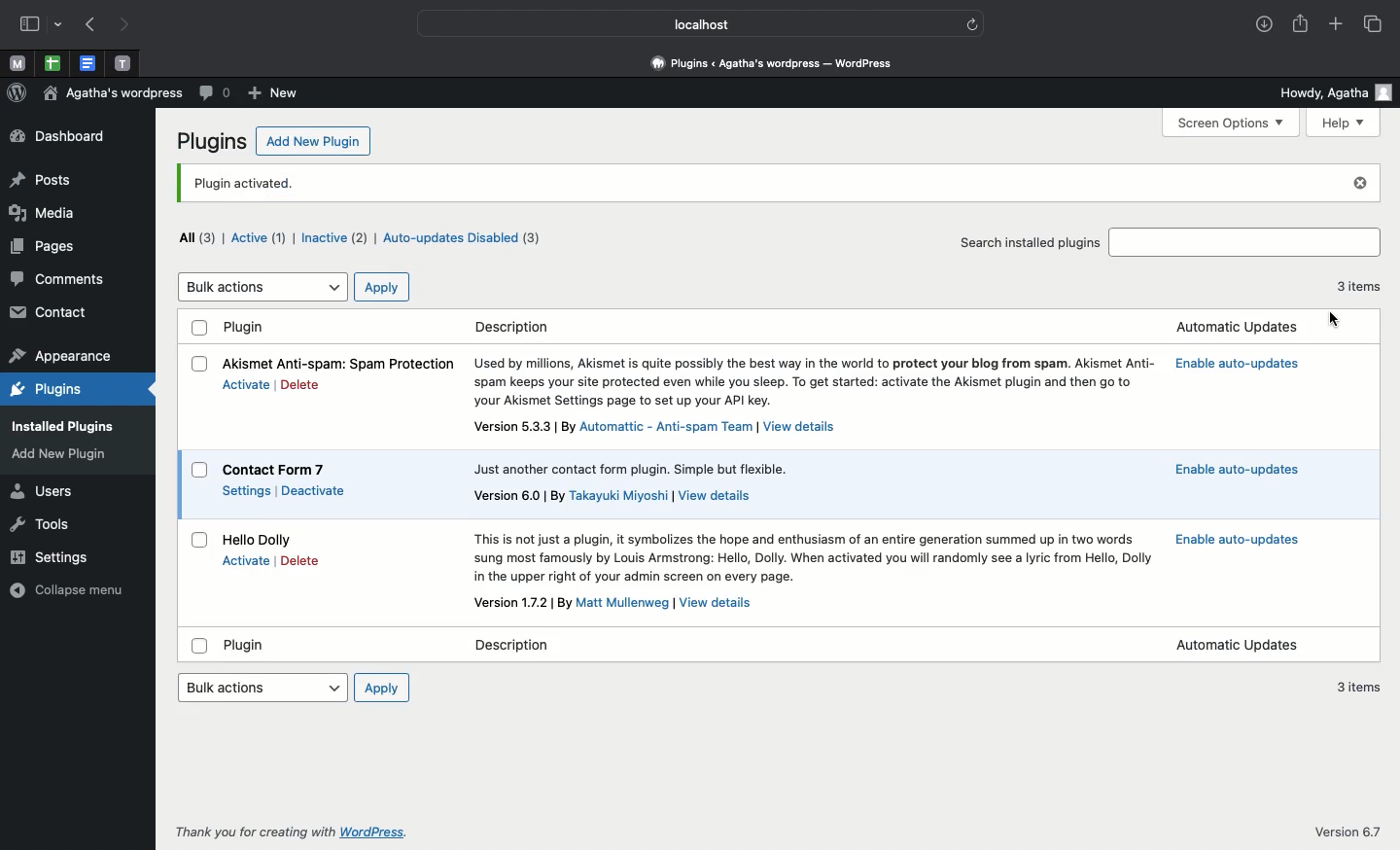  I want to click on Deactivate, so click(318, 490).